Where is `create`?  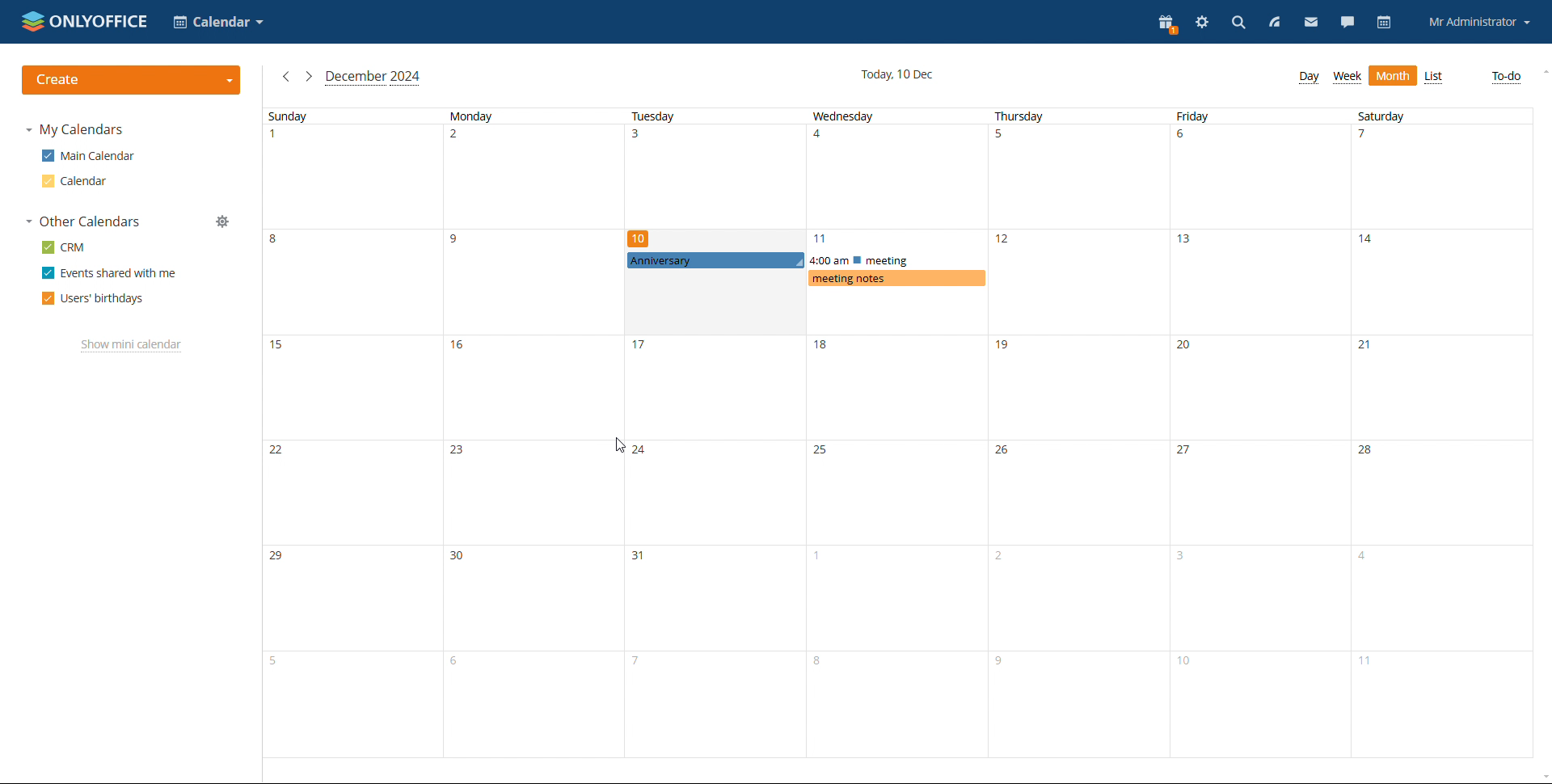
create is located at coordinates (132, 80).